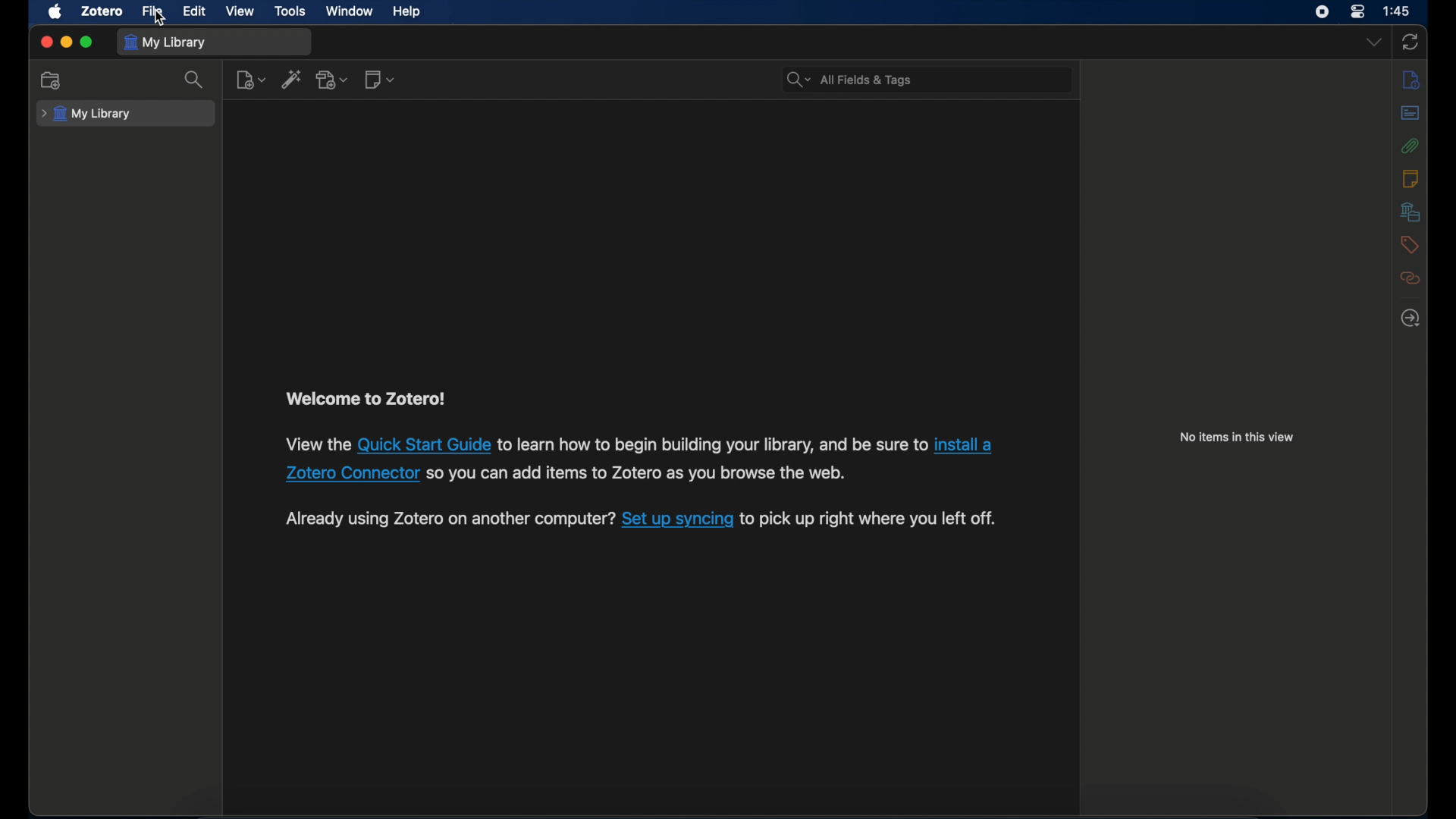 The height and width of the screenshot is (819, 1456). I want to click on to learn how to begin building your library, and be sure to, so click(713, 444).